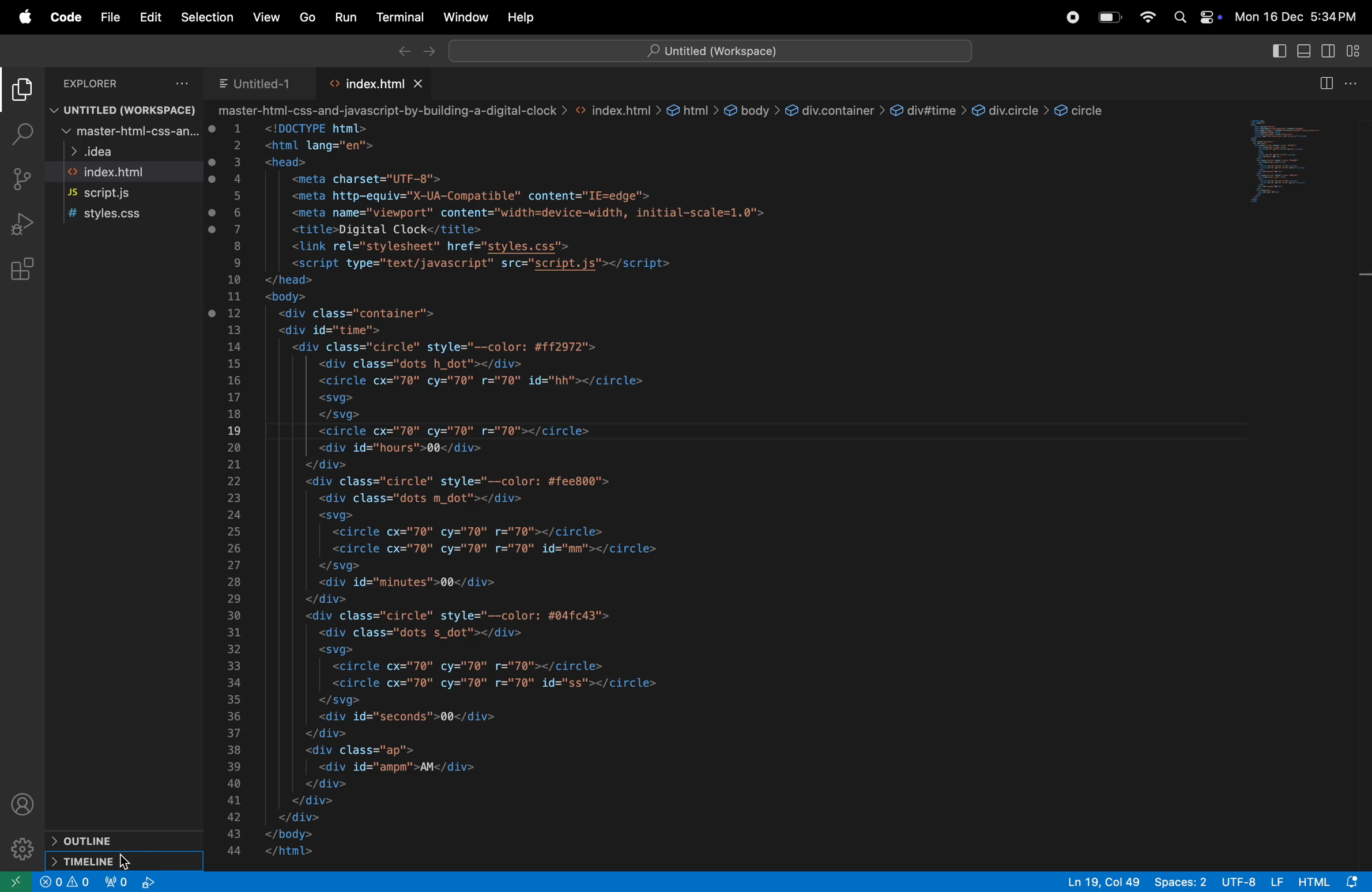 The width and height of the screenshot is (1372, 892). Describe the element at coordinates (710, 49) in the screenshot. I see `Search bar` at that location.